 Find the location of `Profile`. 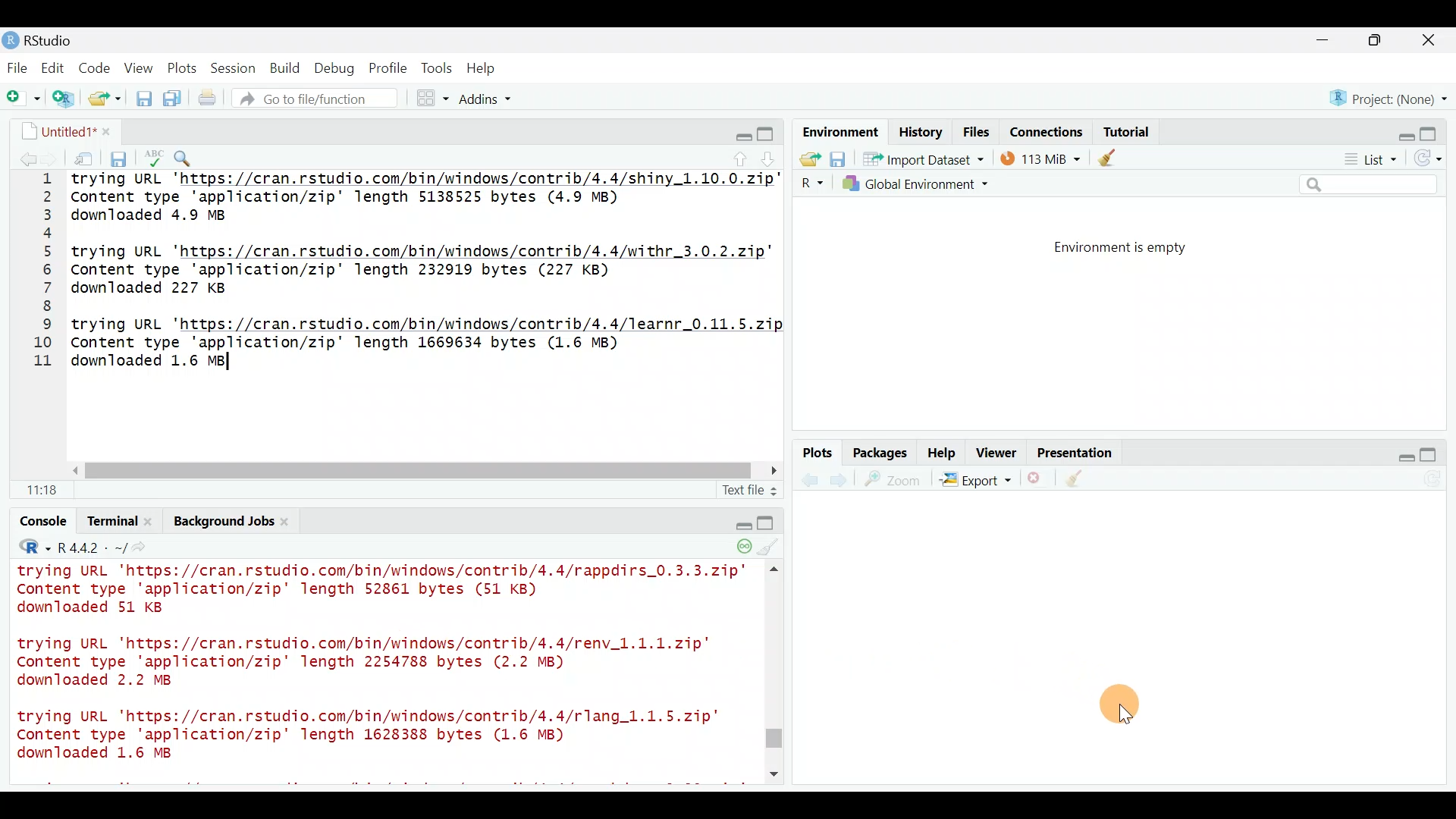

Profile is located at coordinates (388, 67).